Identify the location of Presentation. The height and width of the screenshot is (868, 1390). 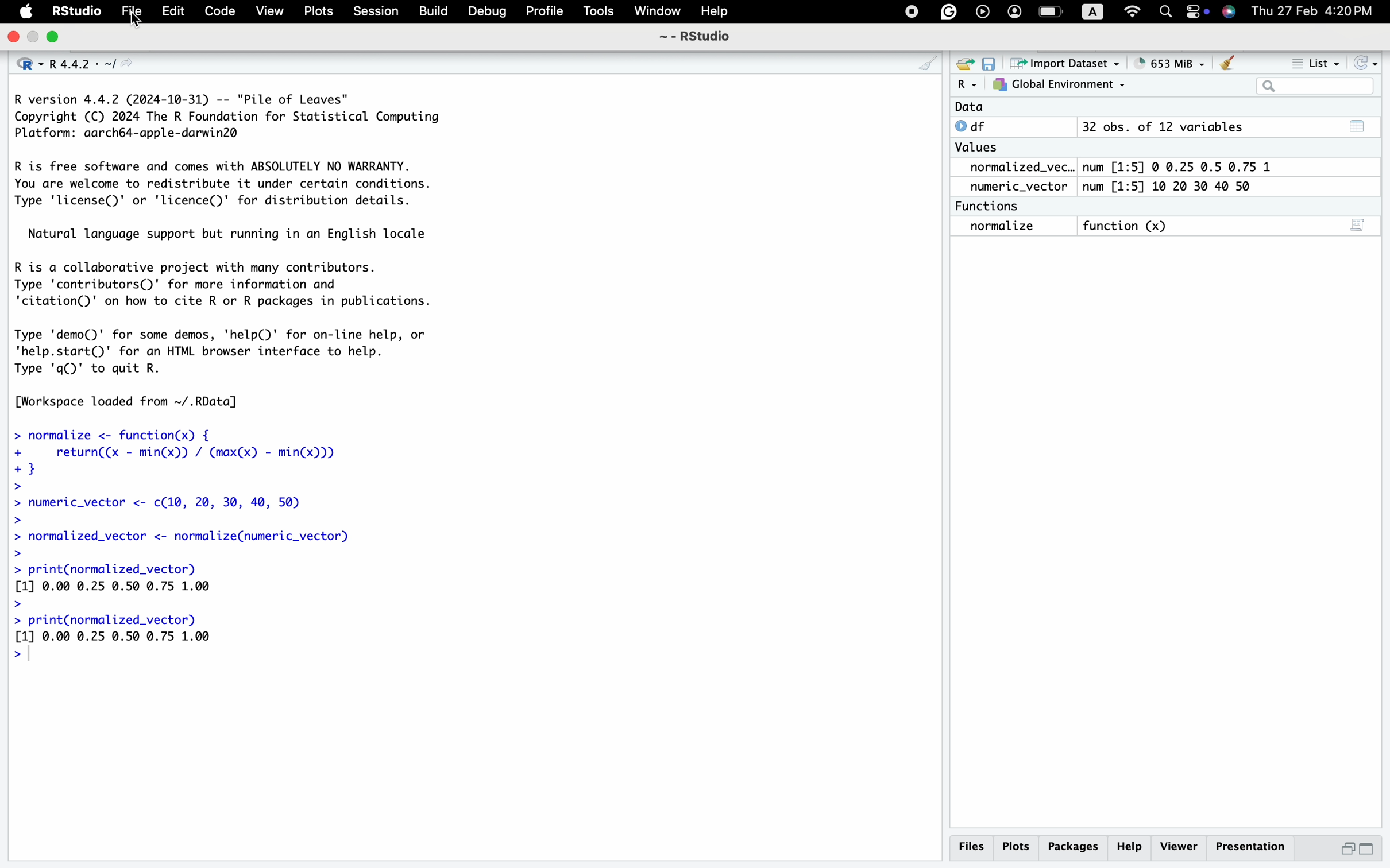
(1252, 845).